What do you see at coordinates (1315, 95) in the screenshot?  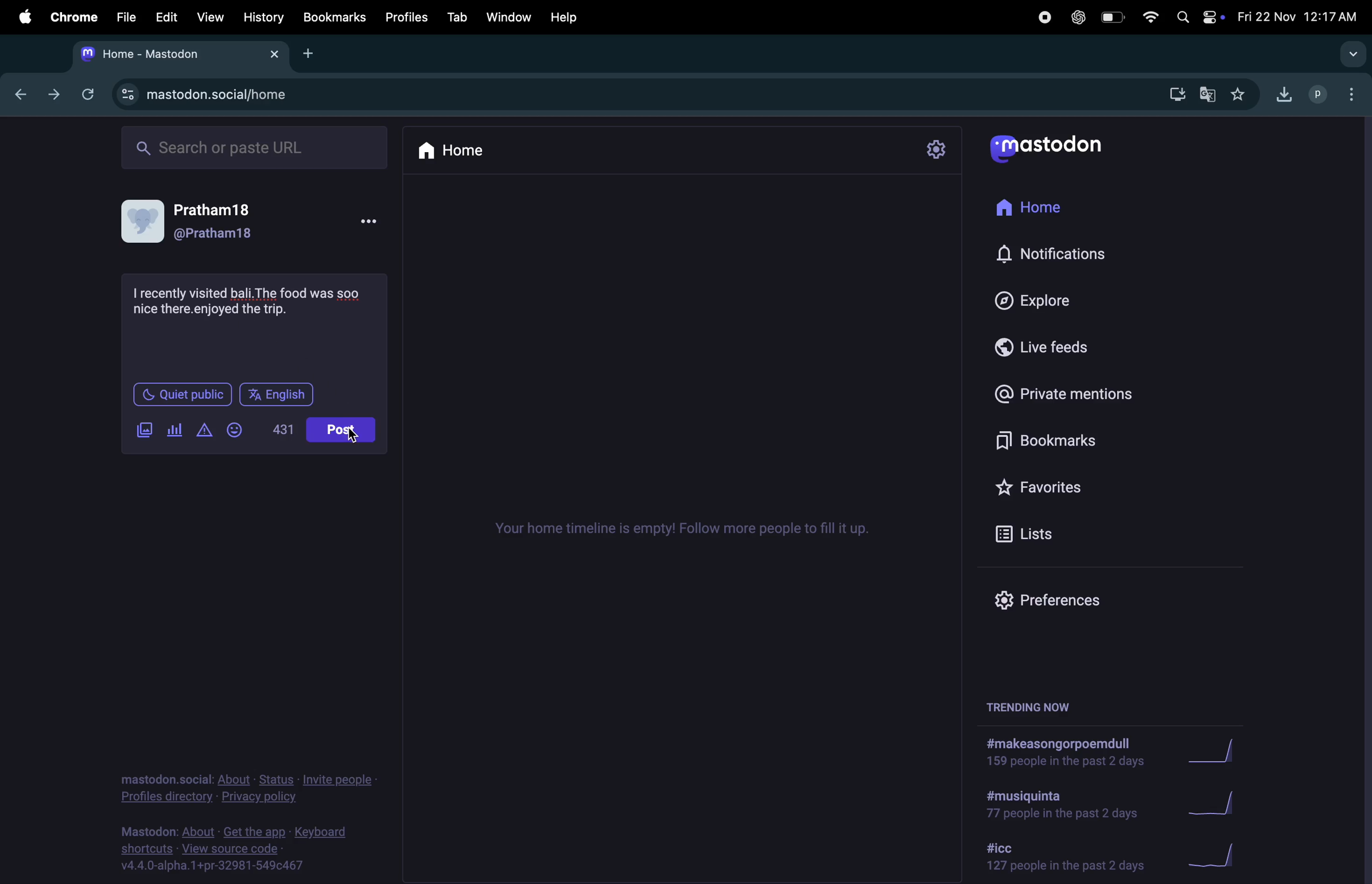 I see `profile` at bounding box center [1315, 95].